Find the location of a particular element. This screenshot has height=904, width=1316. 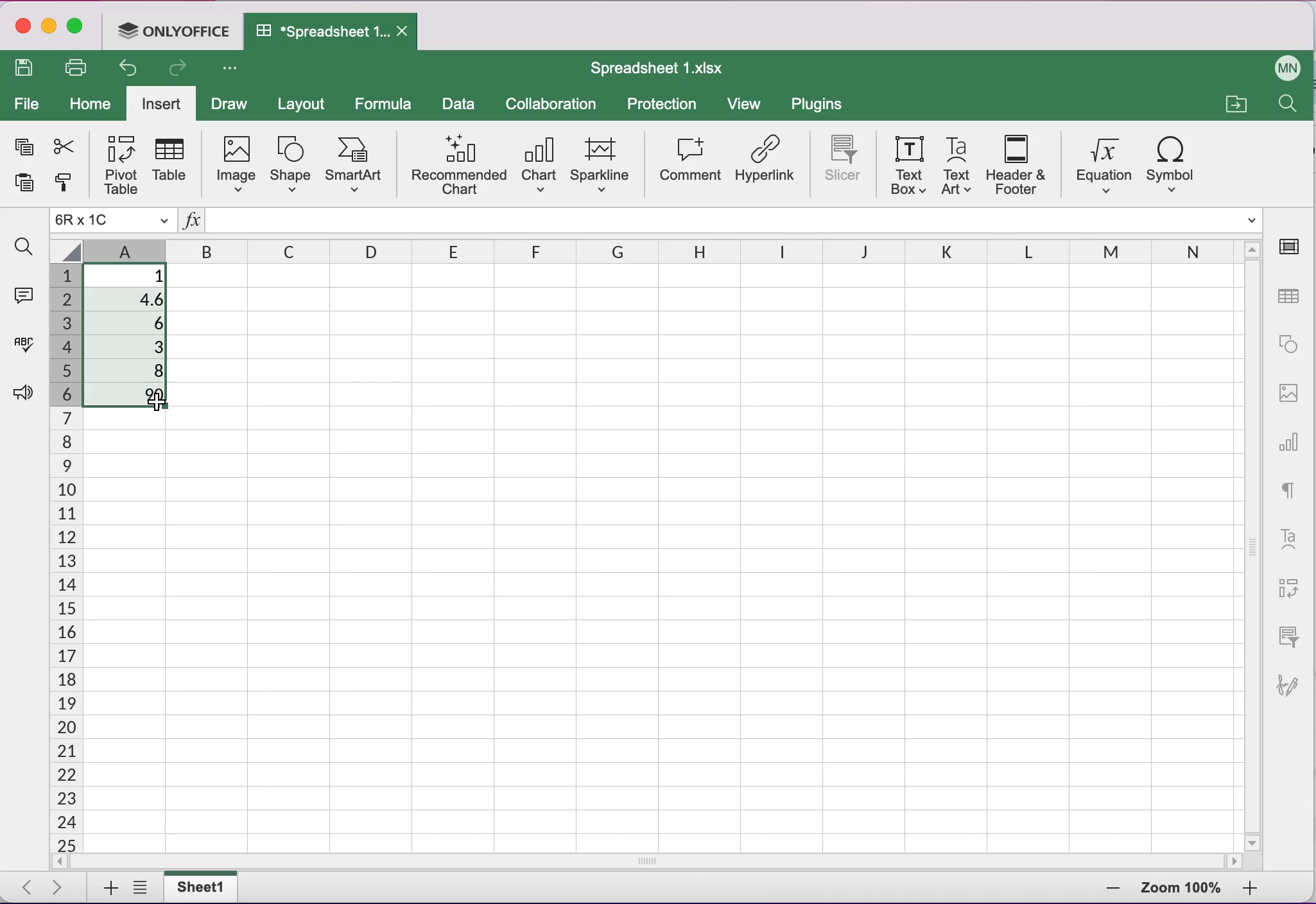

insert is located at coordinates (160, 103).